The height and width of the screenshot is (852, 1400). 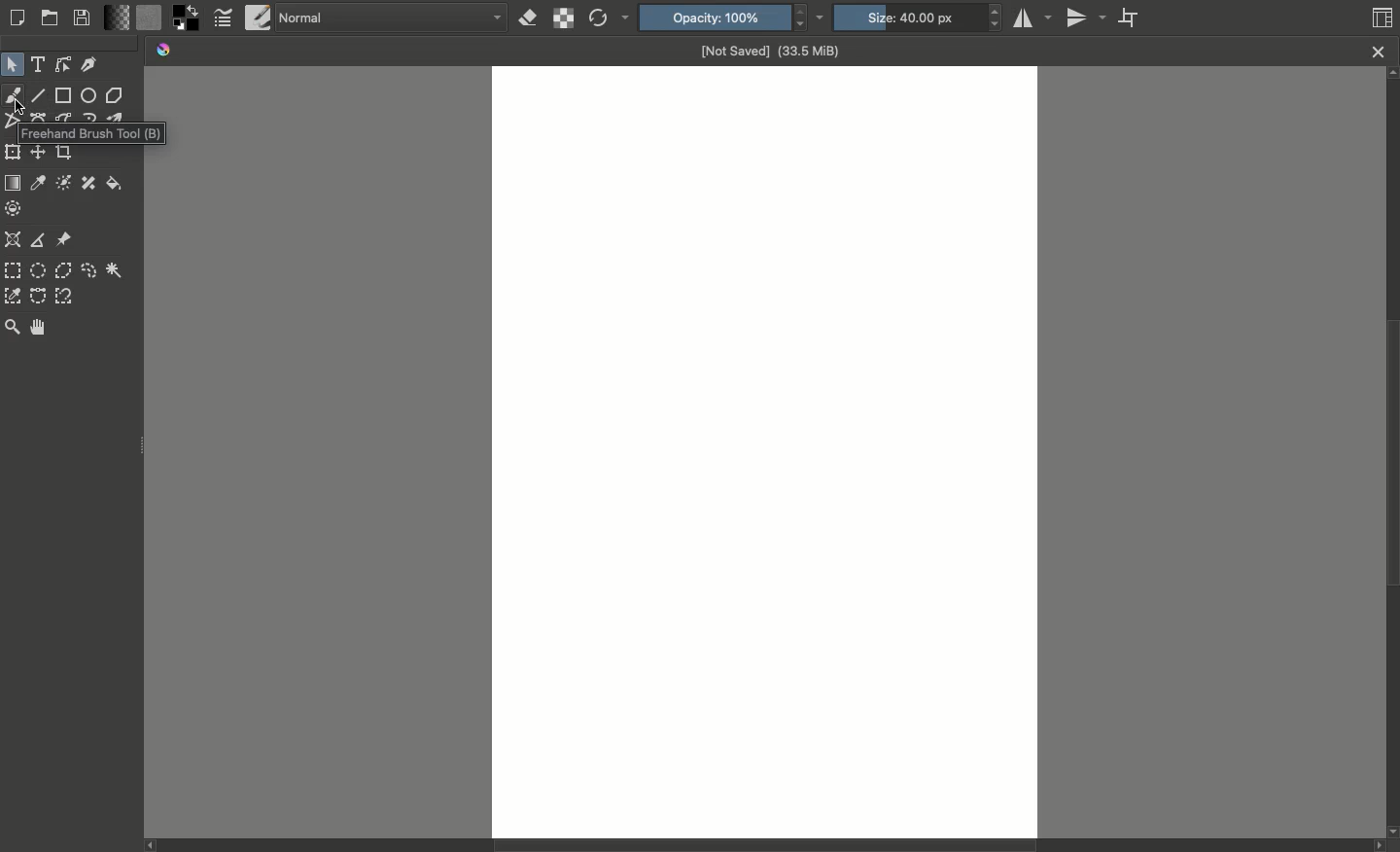 What do you see at coordinates (51, 18) in the screenshot?
I see `Open` at bounding box center [51, 18].